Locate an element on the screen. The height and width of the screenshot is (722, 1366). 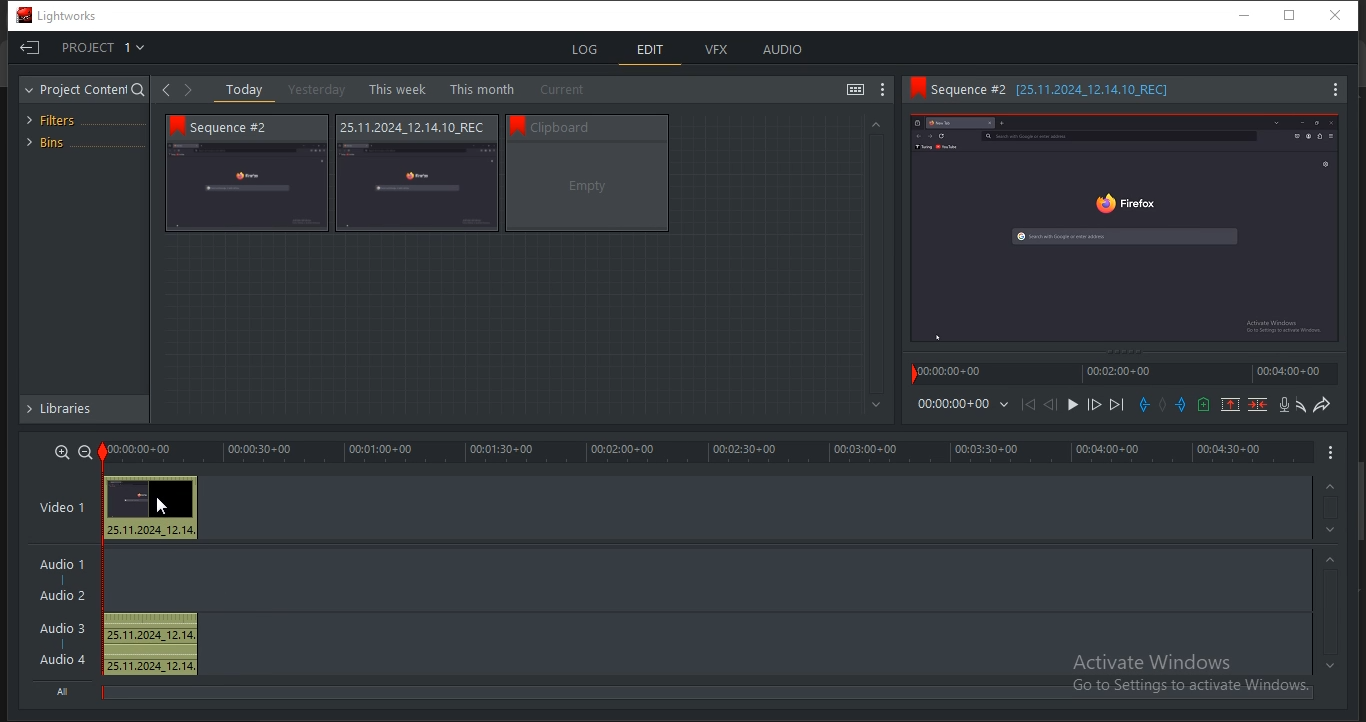
zoom out is located at coordinates (85, 451).